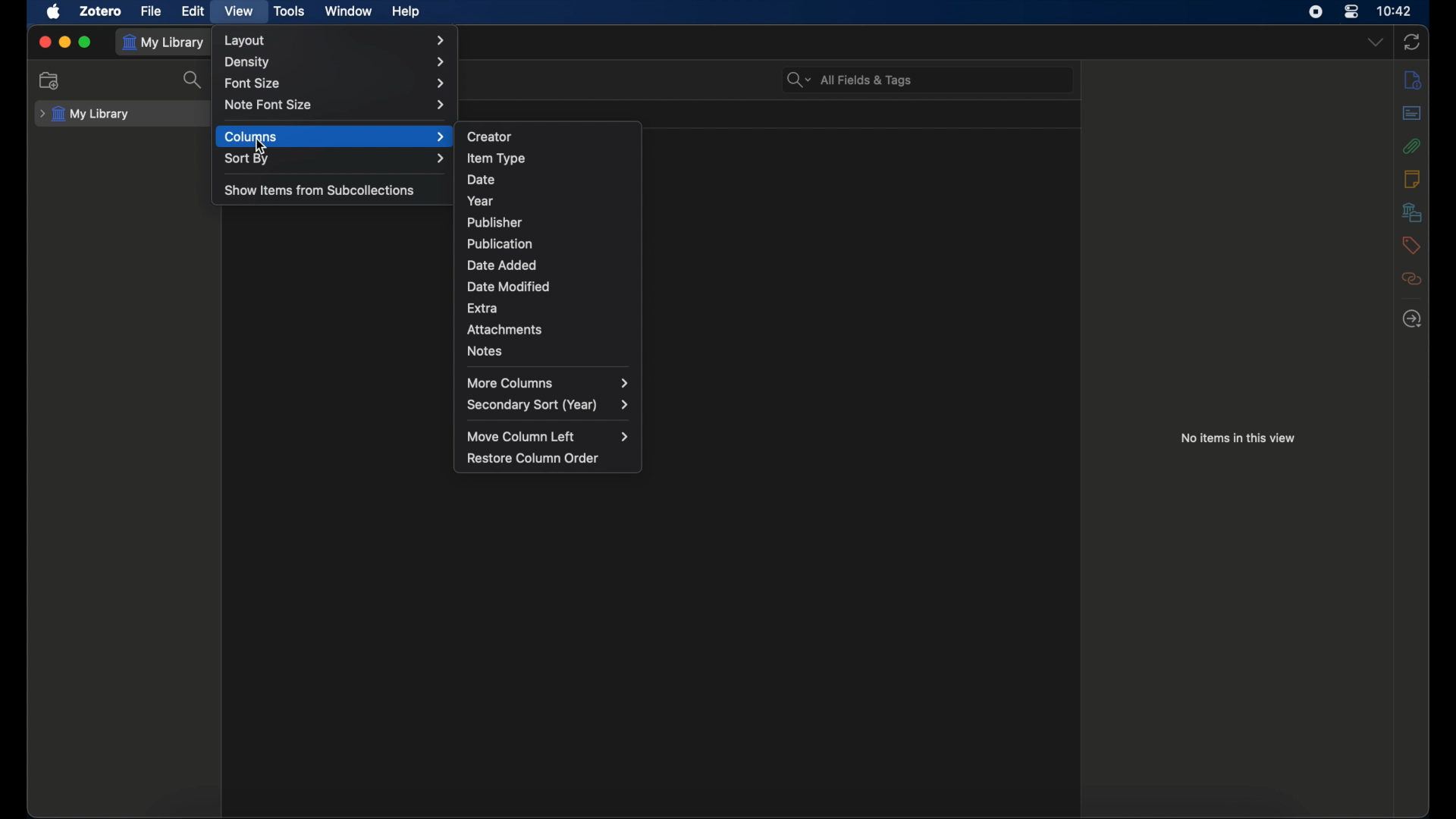 The height and width of the screenshot is (819, 1456). What do you see at coordinates (1414, 81) in the screenshot?
I see `info` at bounding box center [1414, 81].